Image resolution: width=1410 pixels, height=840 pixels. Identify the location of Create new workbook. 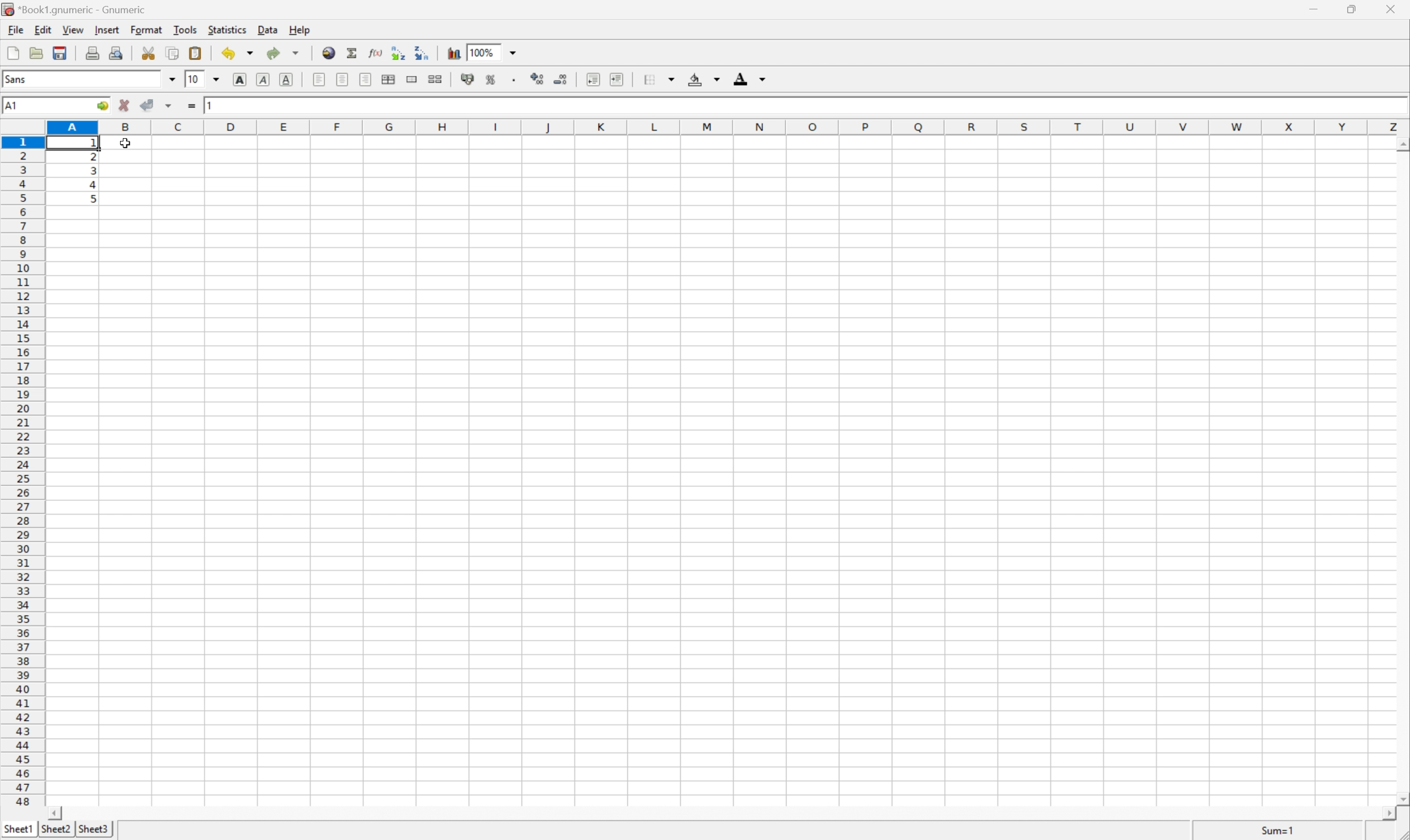
(11, 50).